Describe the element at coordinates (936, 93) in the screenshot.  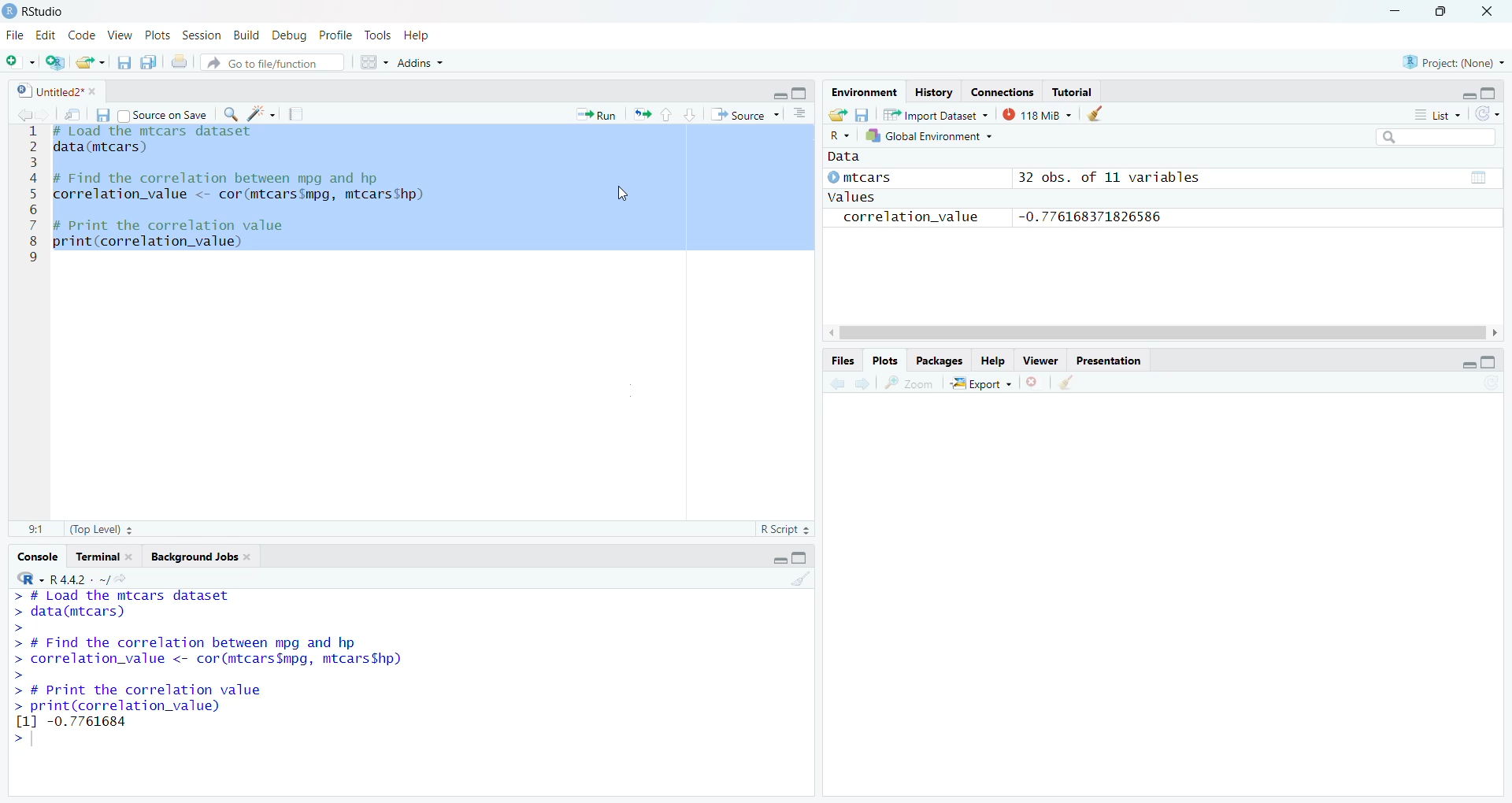
I see `History` at that location.